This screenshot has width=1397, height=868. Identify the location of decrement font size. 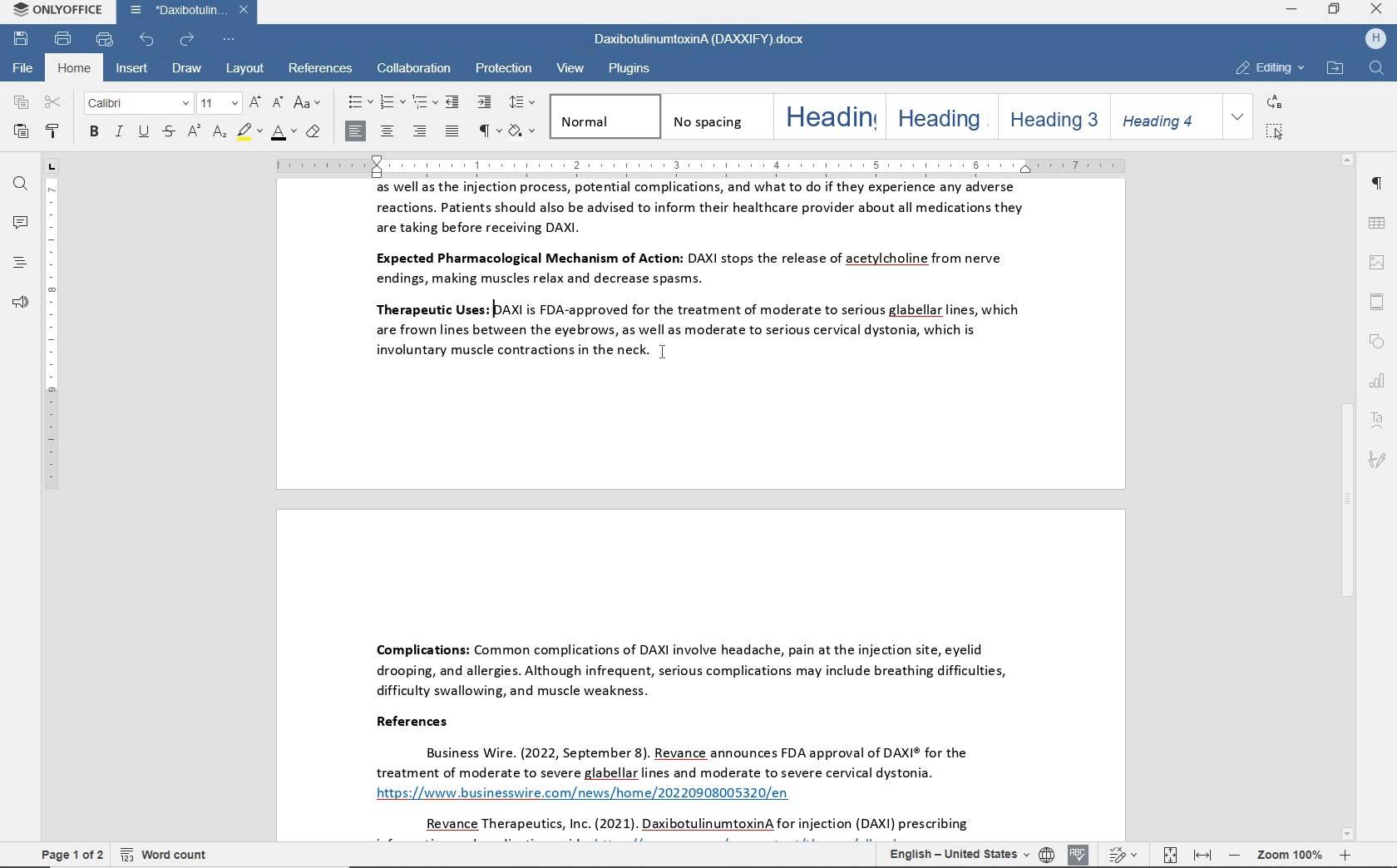
(276, 101).